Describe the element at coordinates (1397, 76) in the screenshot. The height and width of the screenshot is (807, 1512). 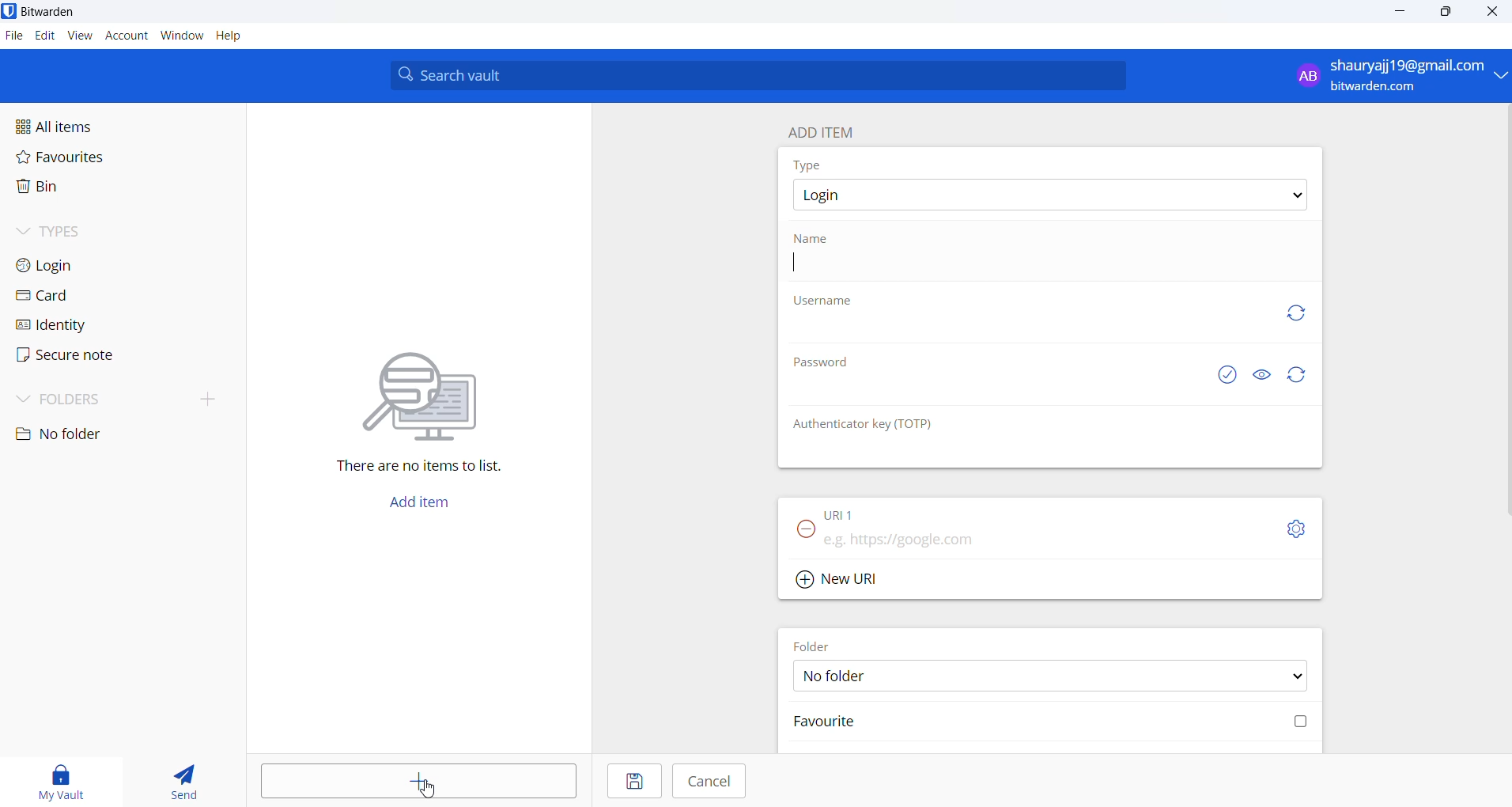
I see `sign in and sign out options` at that location.